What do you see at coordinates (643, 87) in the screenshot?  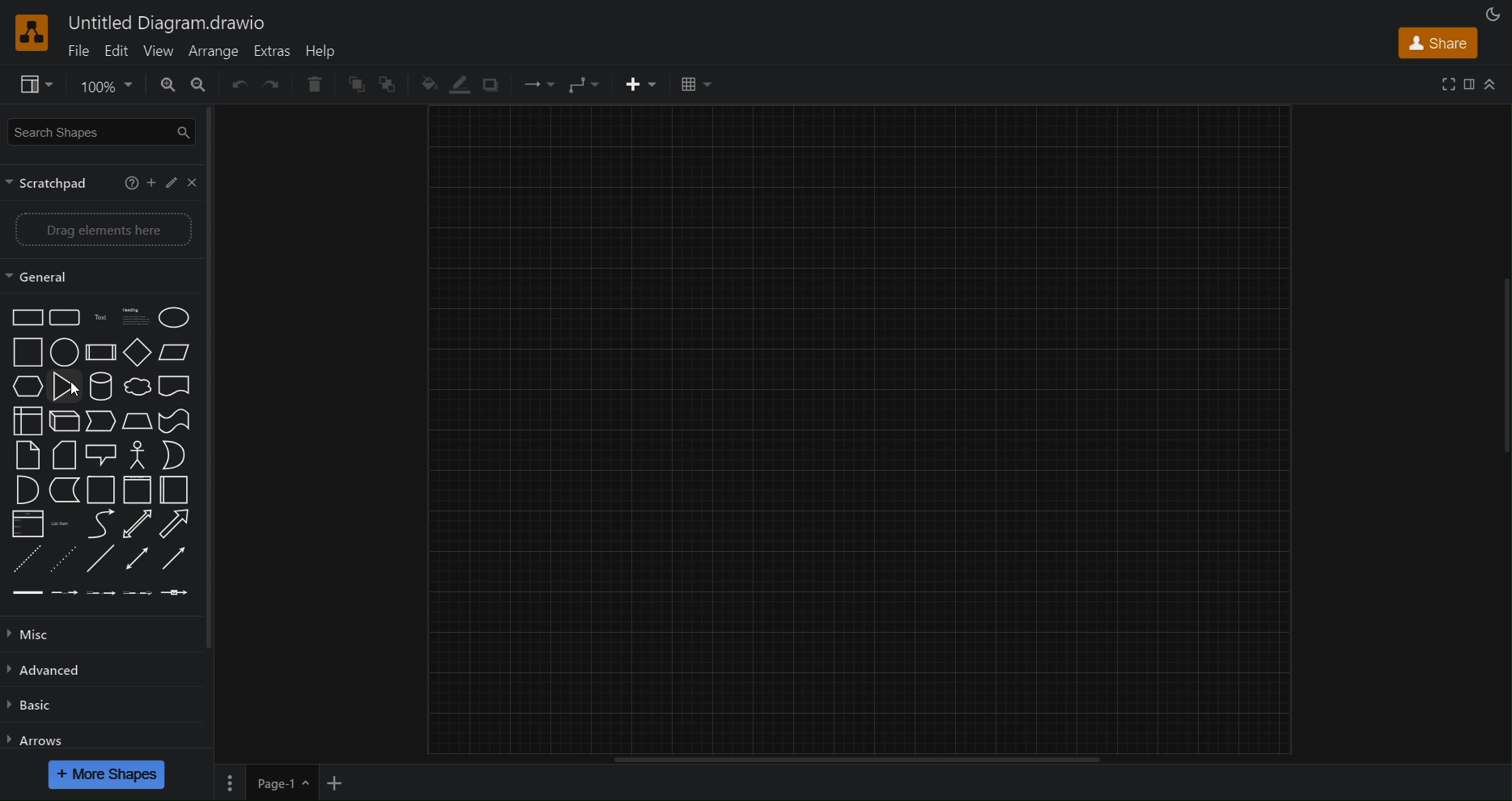 I see `Insert` at bounding box center [643, 87].